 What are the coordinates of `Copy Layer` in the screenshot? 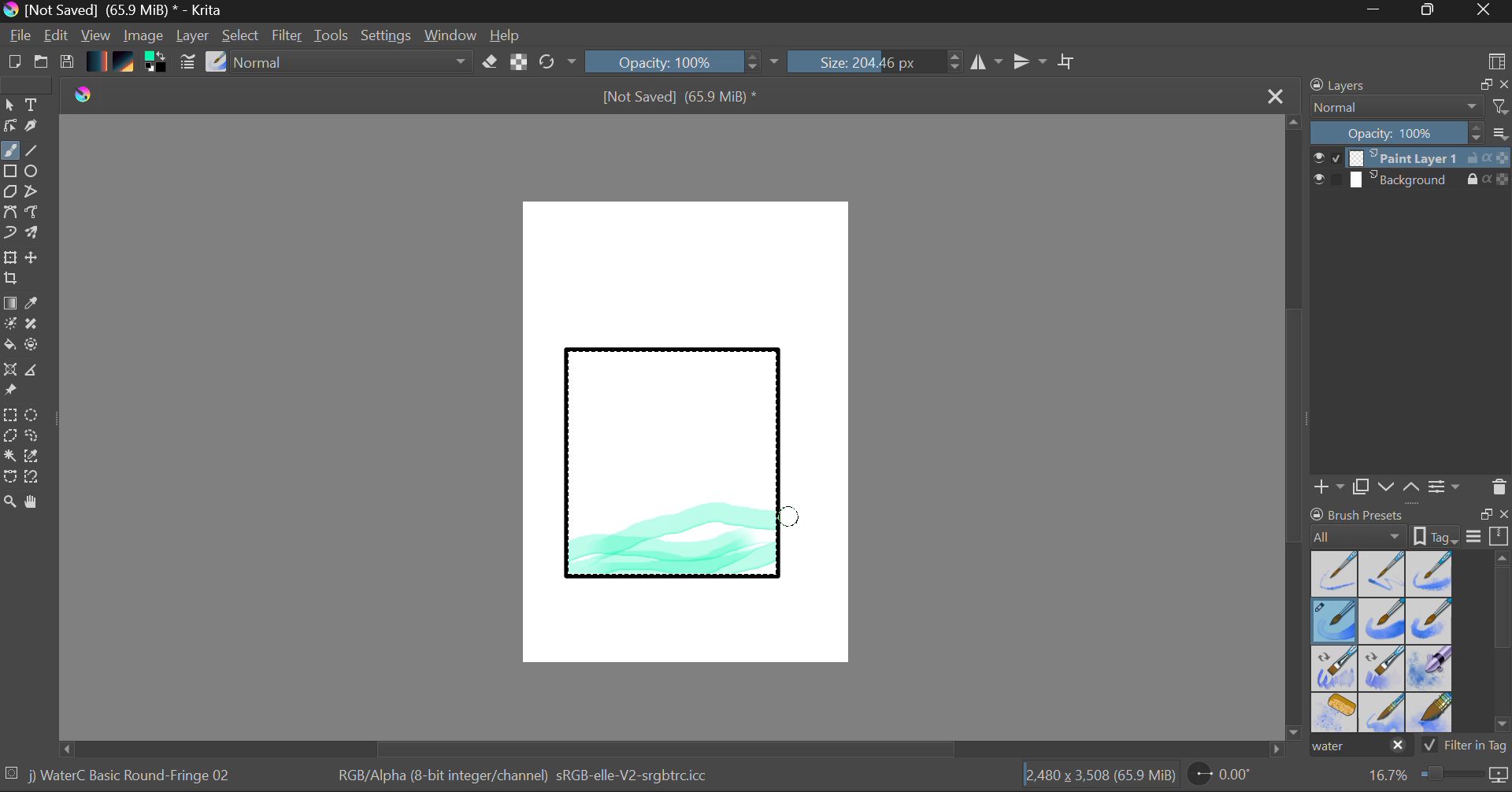 It's located at (1362, 487).